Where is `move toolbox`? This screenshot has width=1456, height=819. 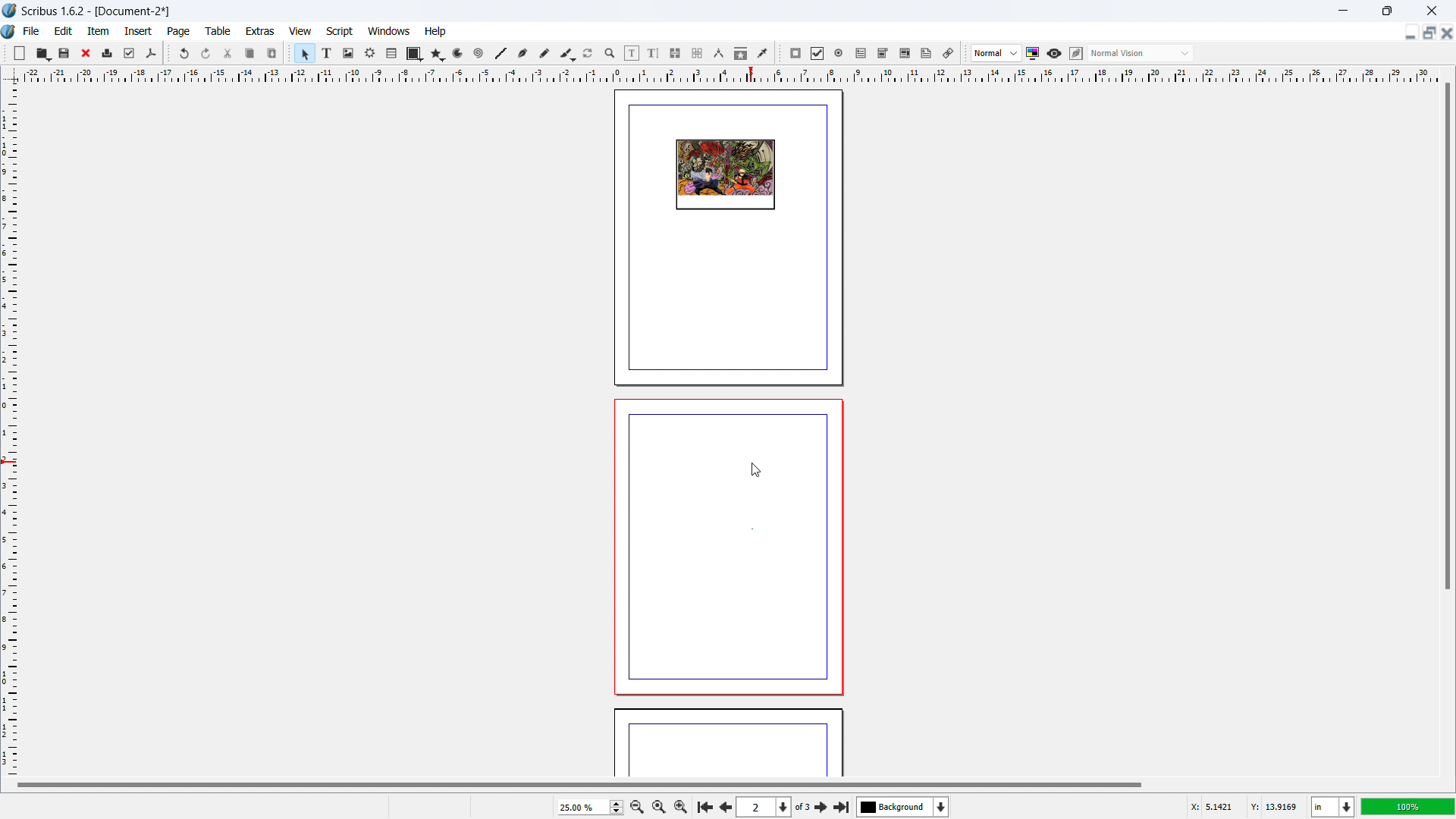 move toolbox is located at coordinates (780, 54).